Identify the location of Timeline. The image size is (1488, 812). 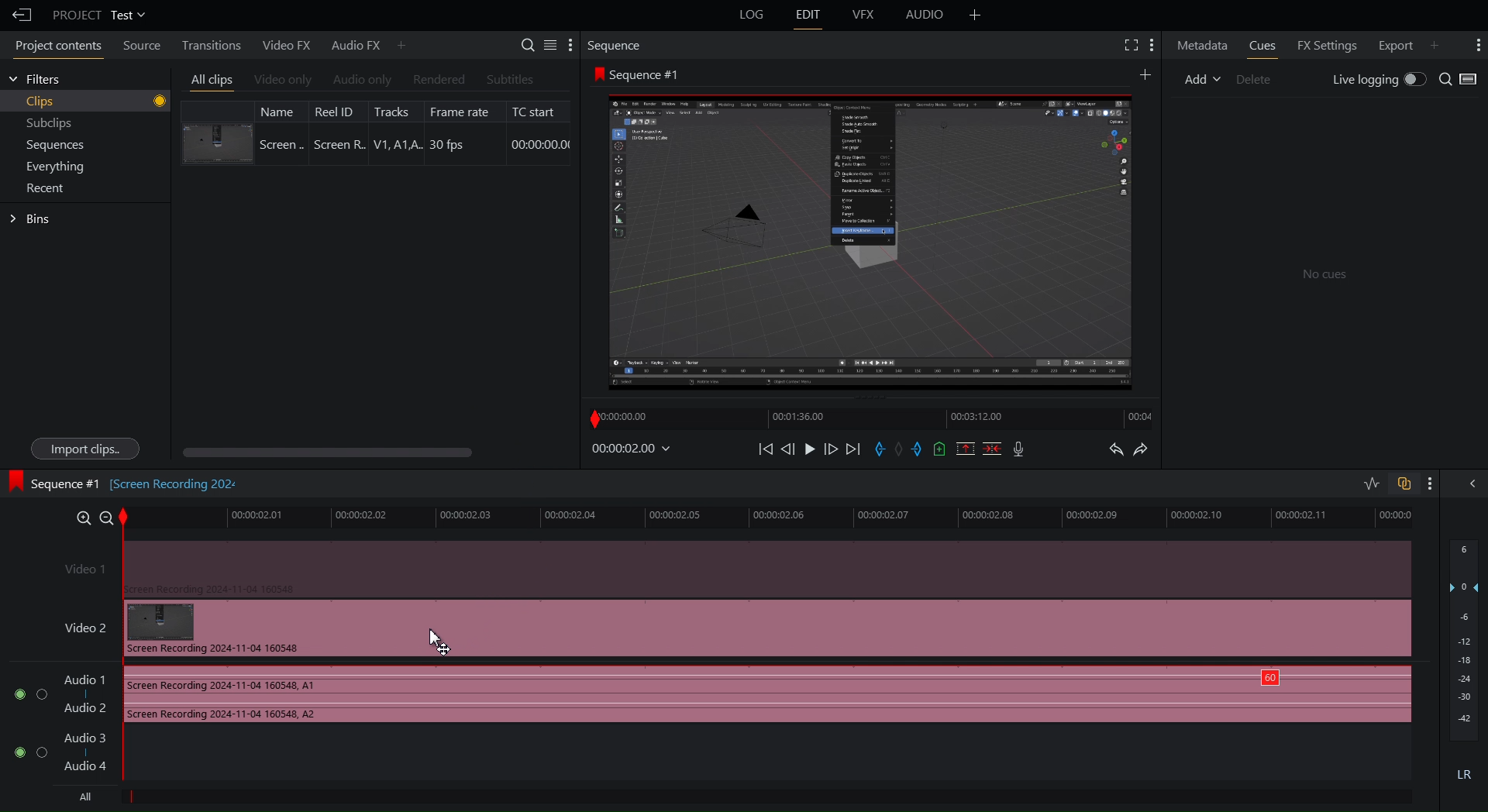
(874, 416).